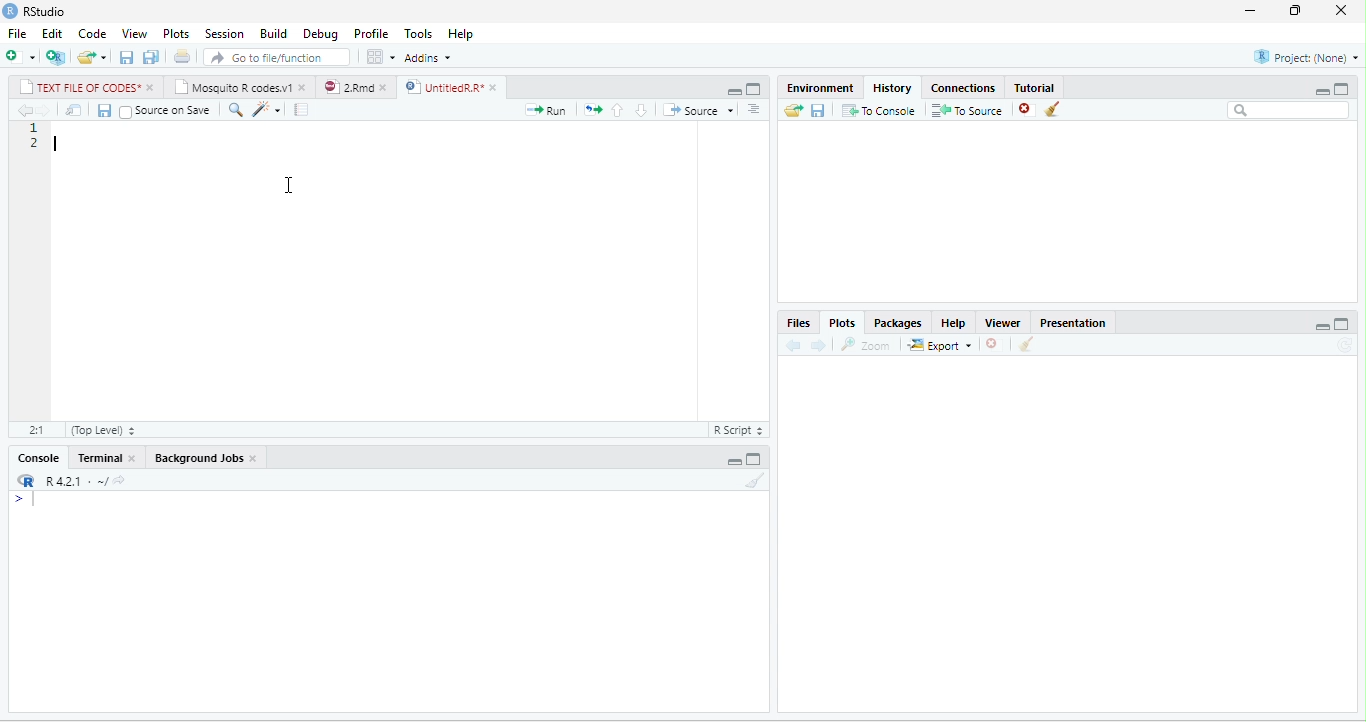  What do you see at coordinates (176, 34) in the screenshot?
I see `Plots` at bounding box center [176, 34].